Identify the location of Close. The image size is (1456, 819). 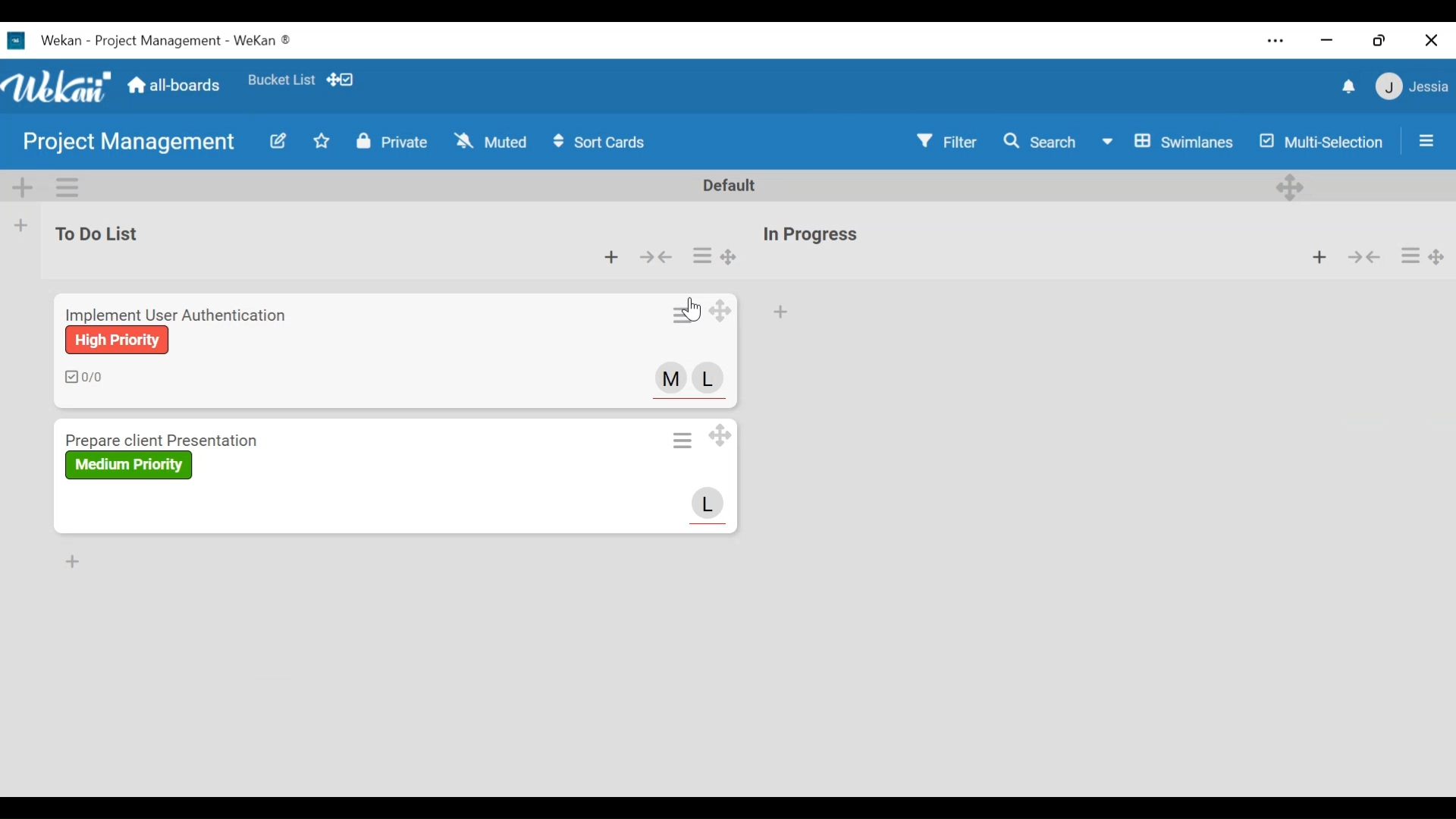
(1430, 40).